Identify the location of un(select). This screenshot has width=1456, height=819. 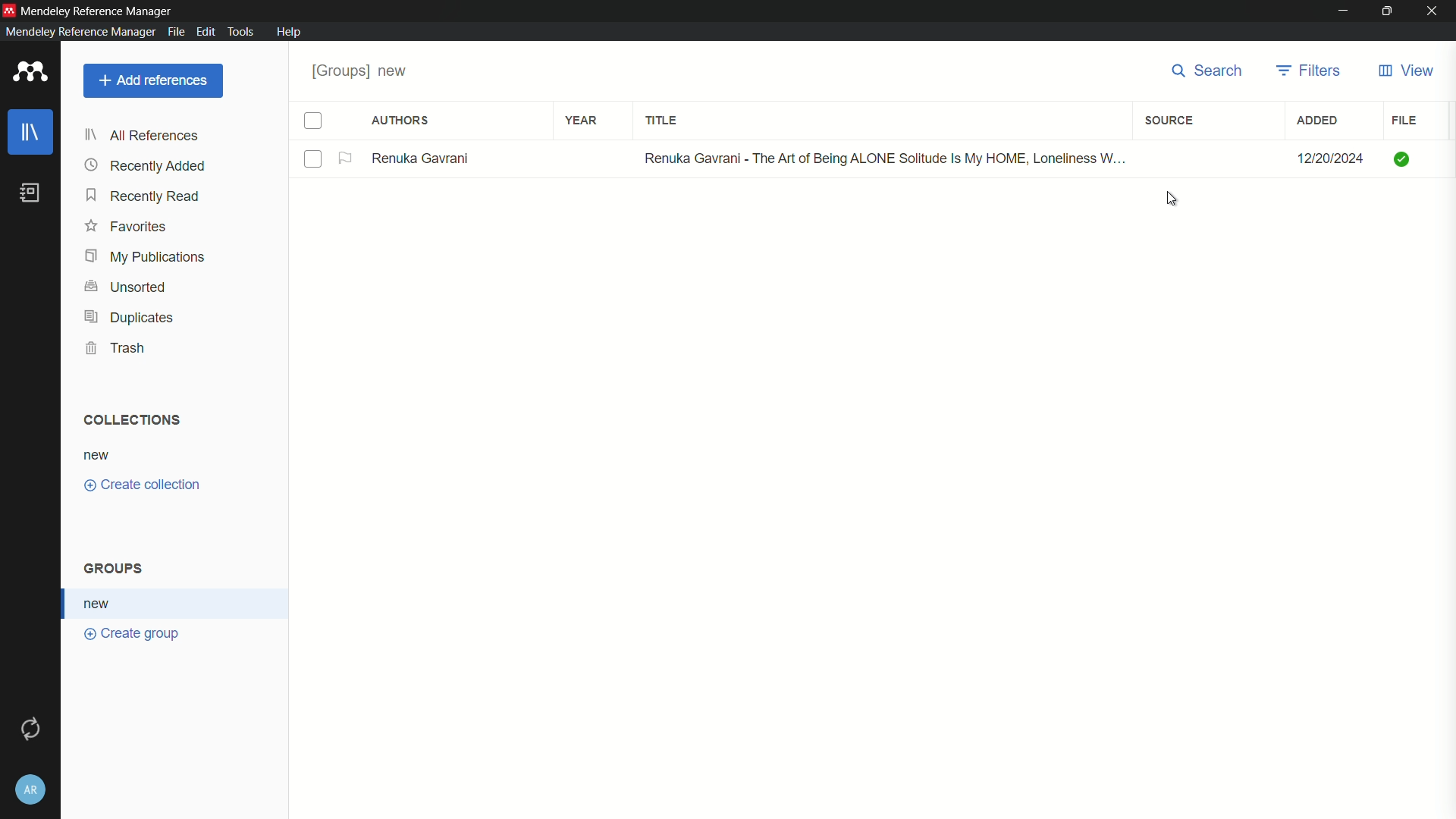
(314, 160).